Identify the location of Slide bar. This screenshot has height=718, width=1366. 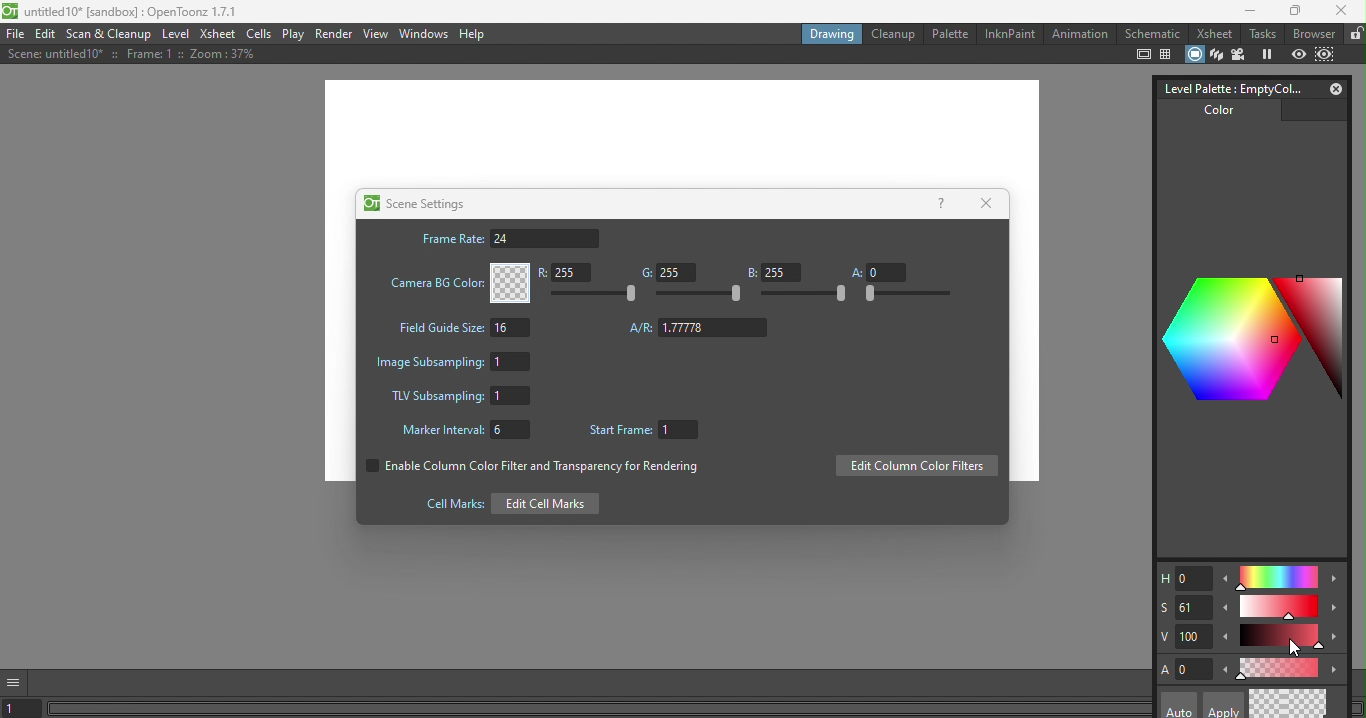
(1277, 578).